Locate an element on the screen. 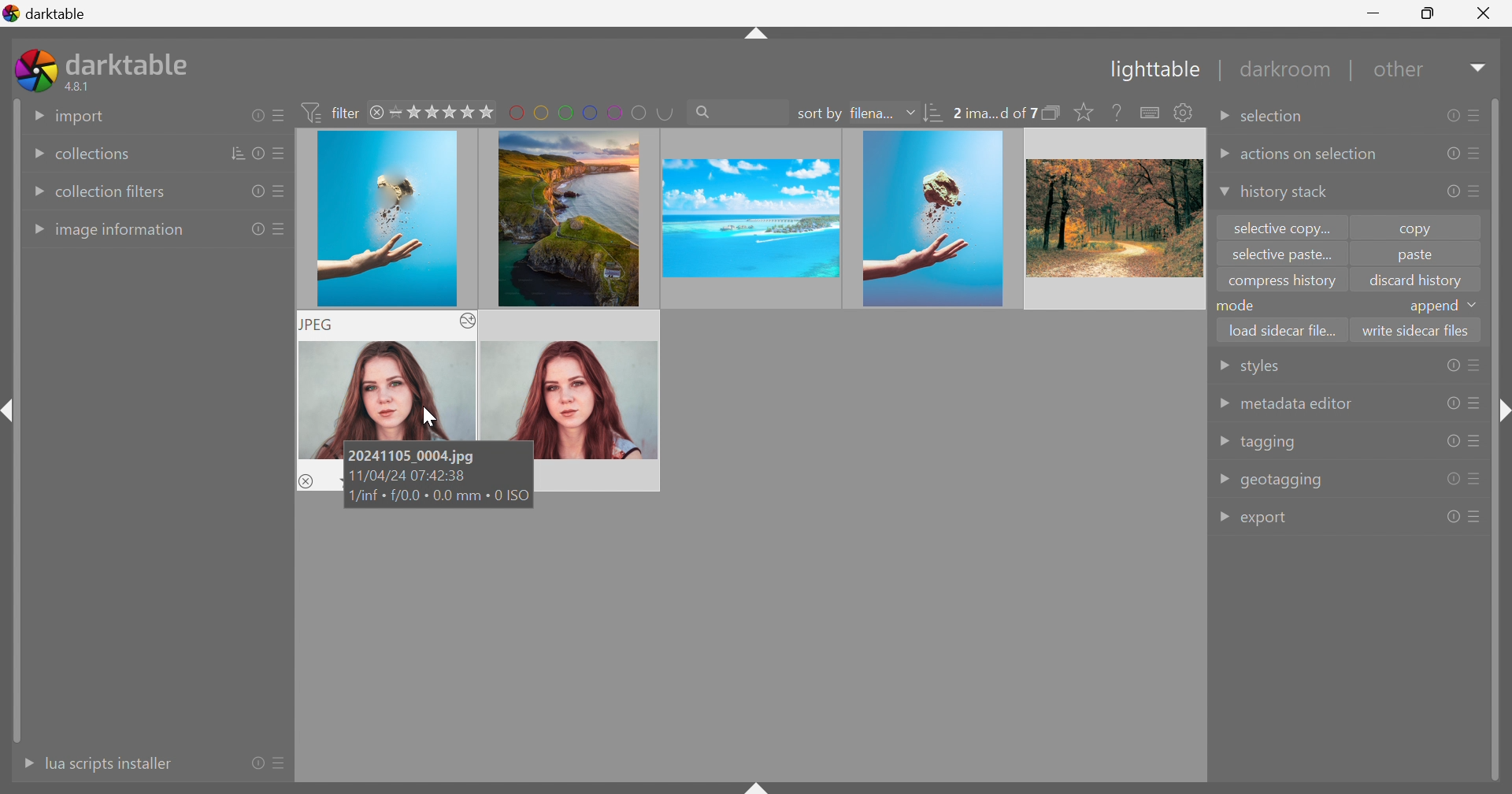 The image size is (1512, 794). Drop Down is located at coordinates (1480, 67).